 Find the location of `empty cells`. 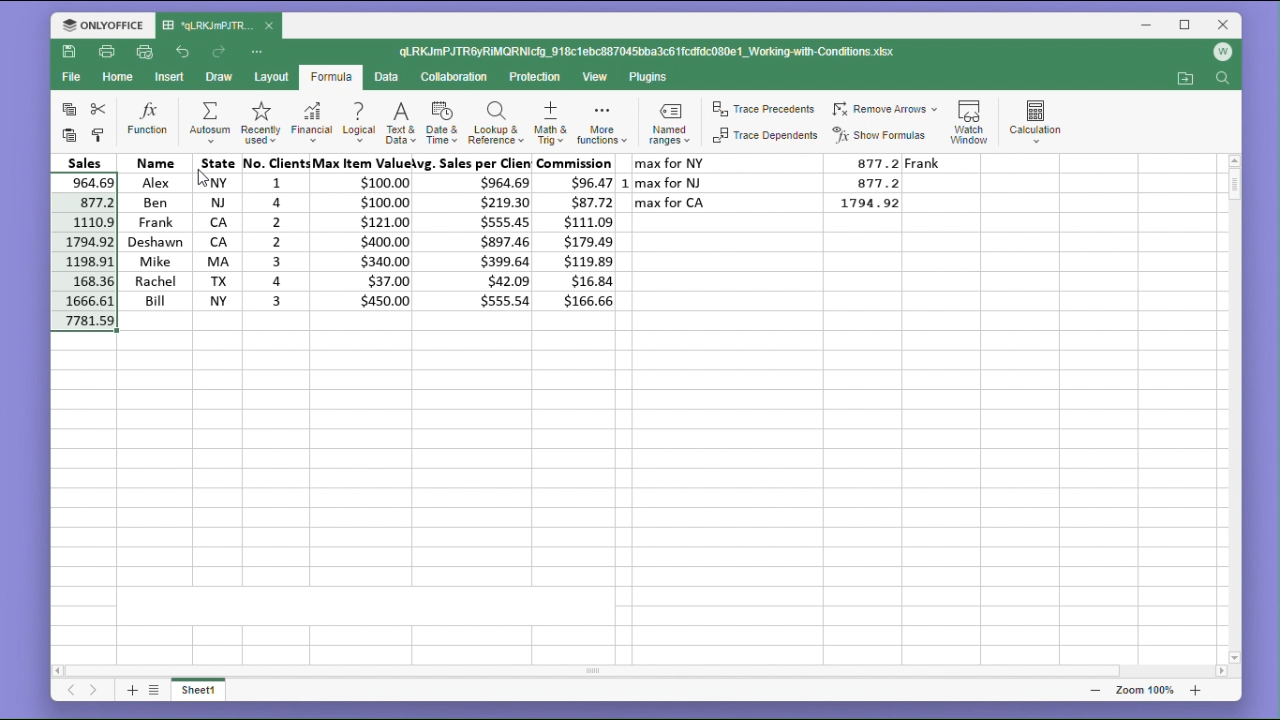

empty cells is located at coordinates (637, 485).